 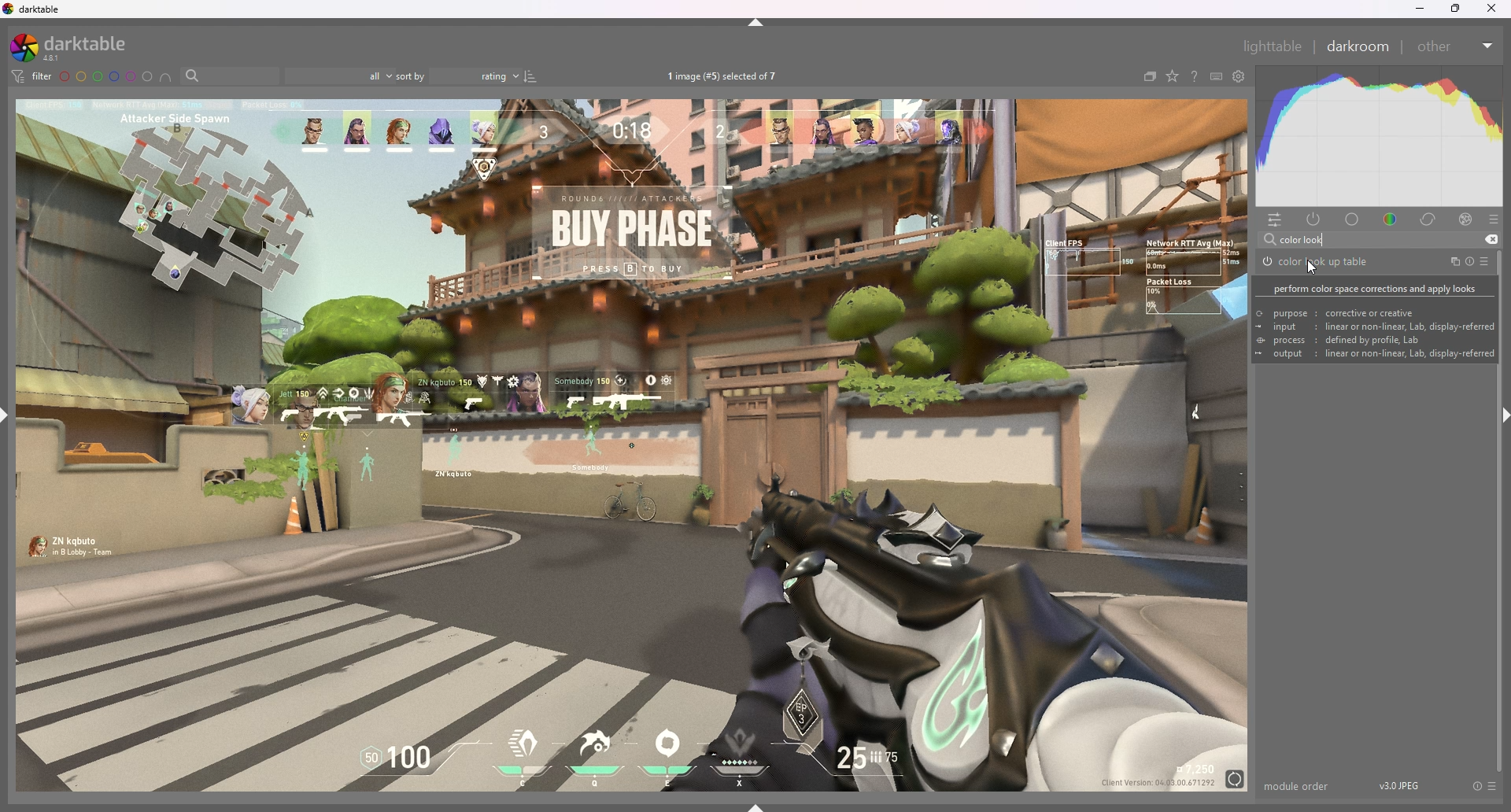 I want to click on change type of overlays, so click(x=1173, y=76).